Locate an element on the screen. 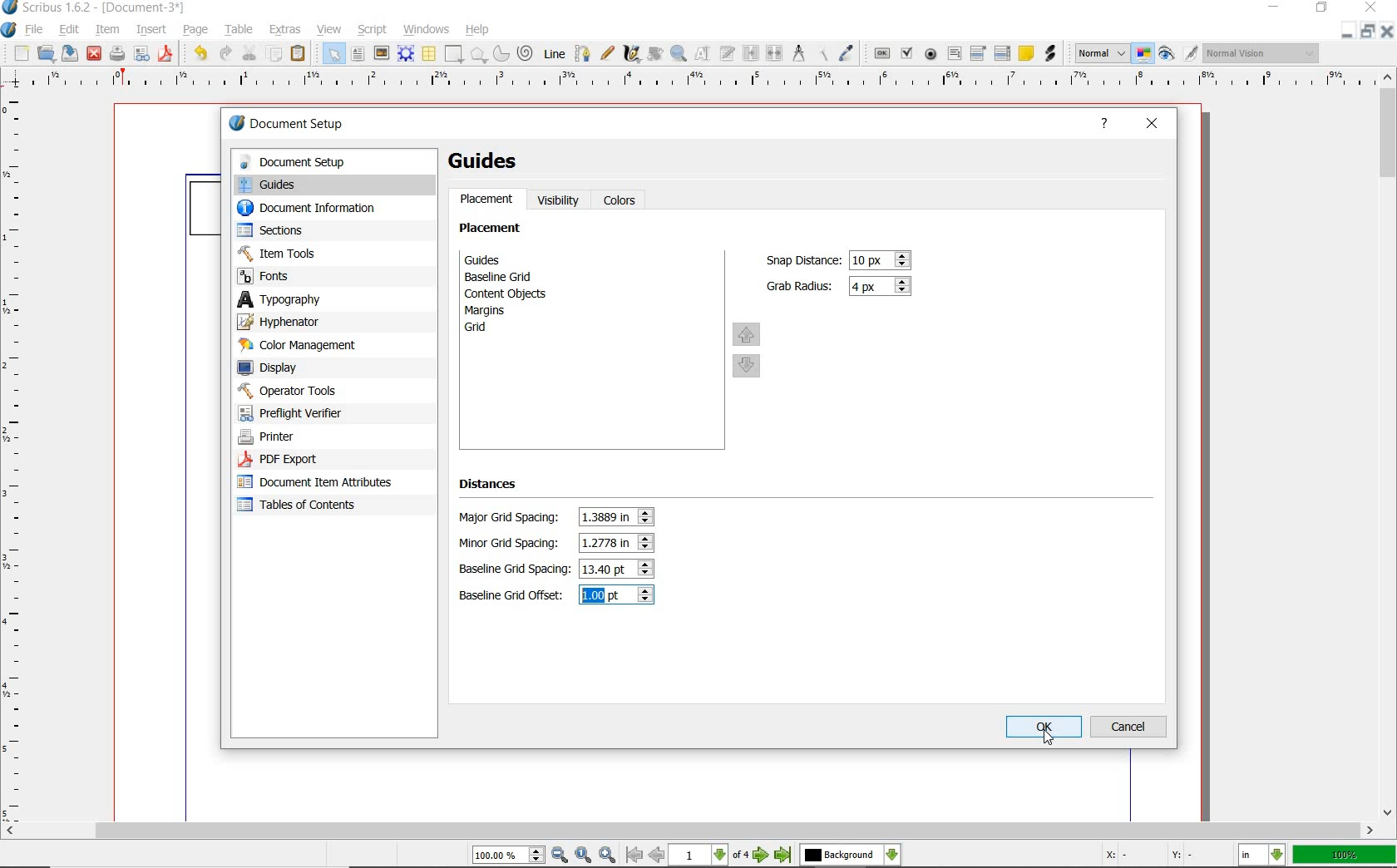  guides is located at coordinates (512, 259).